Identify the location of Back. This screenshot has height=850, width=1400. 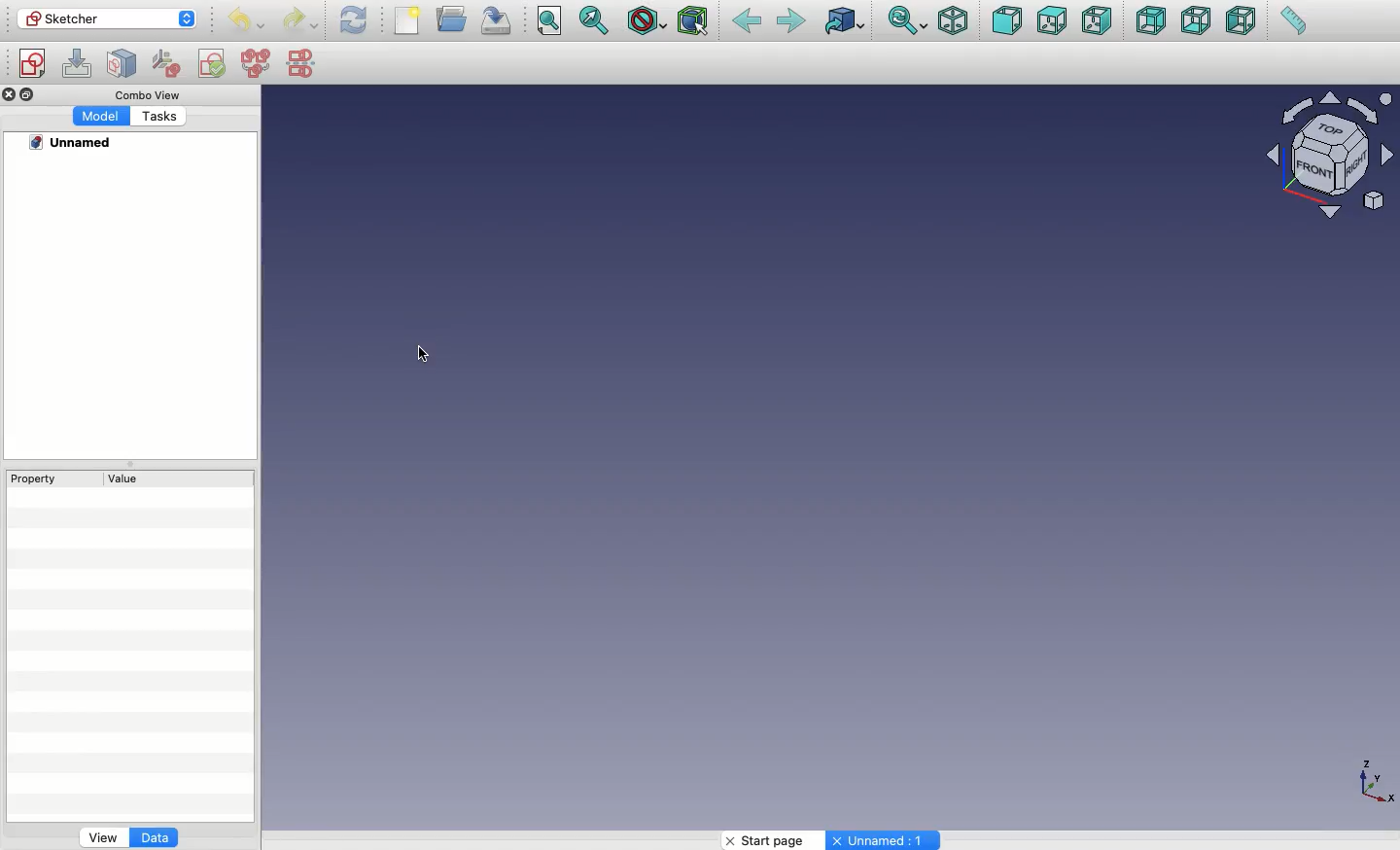
(749, 22).